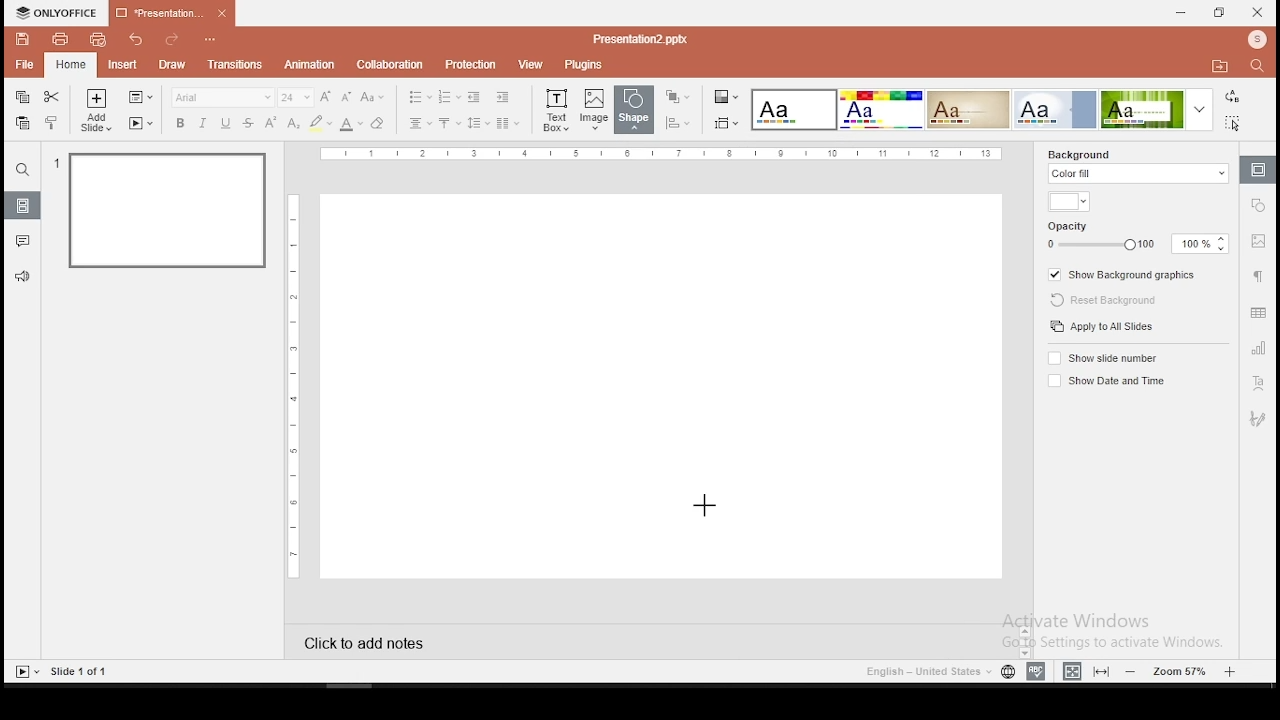  Describe the element at coordinates (121, 63) in the screenshot. I see `insert` at that location.